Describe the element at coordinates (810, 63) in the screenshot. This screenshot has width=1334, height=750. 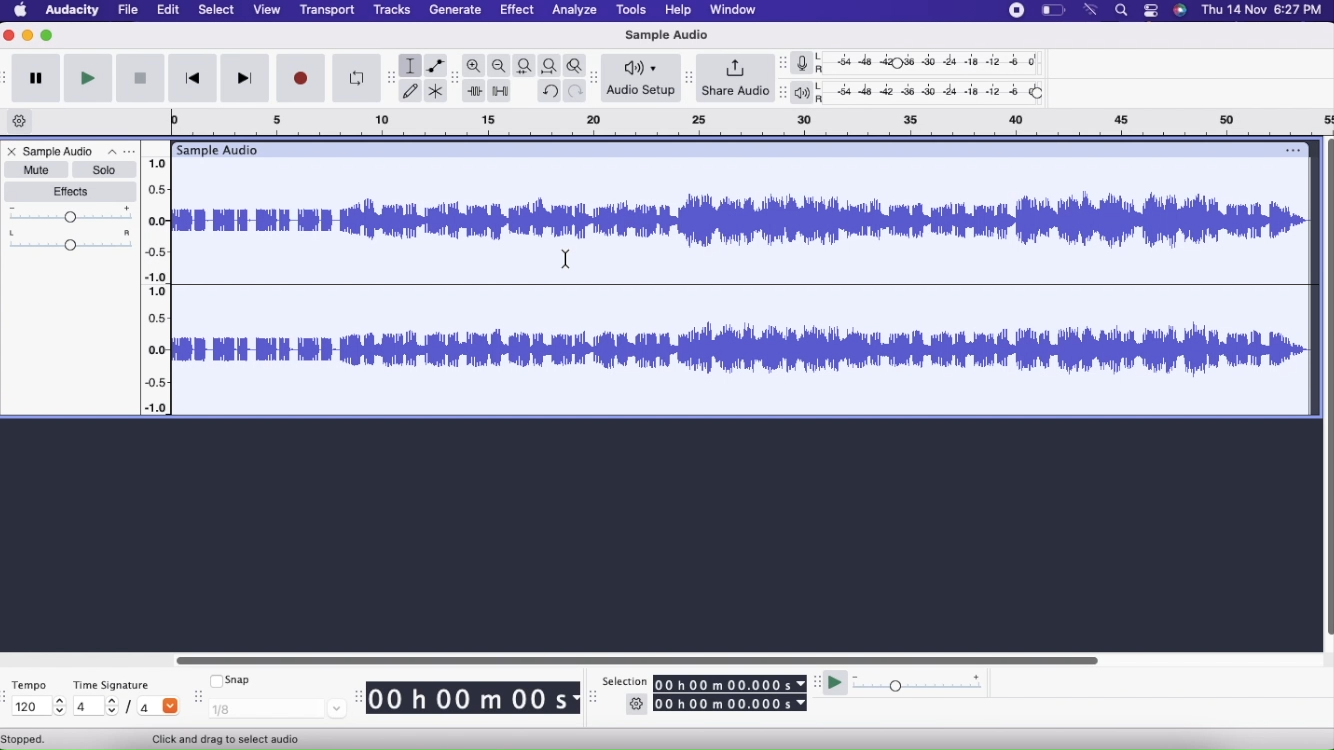
I see `Record meter` at that location.